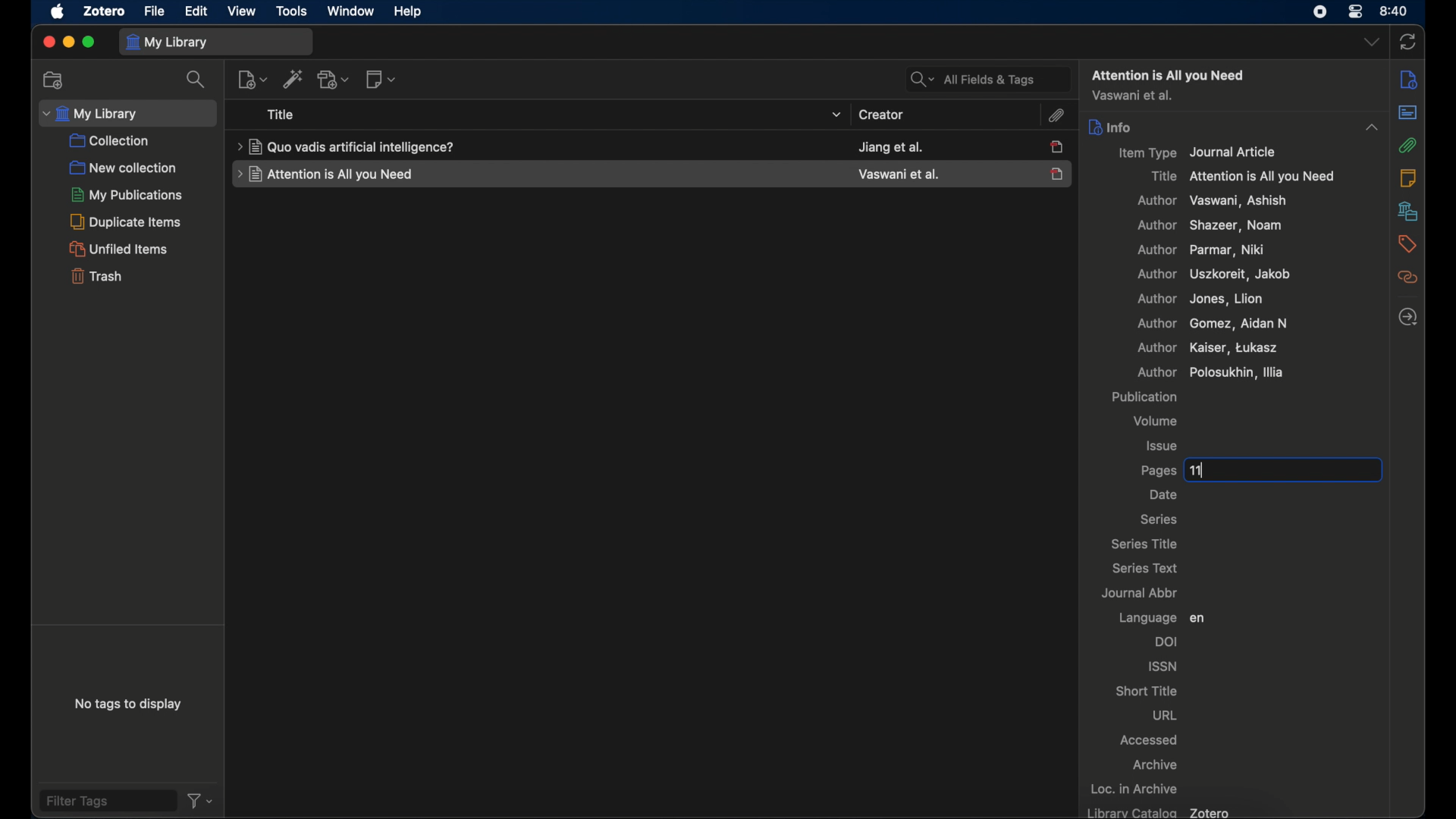 The image size is (1456, 819). I want to click on edit, so click(196, 13).